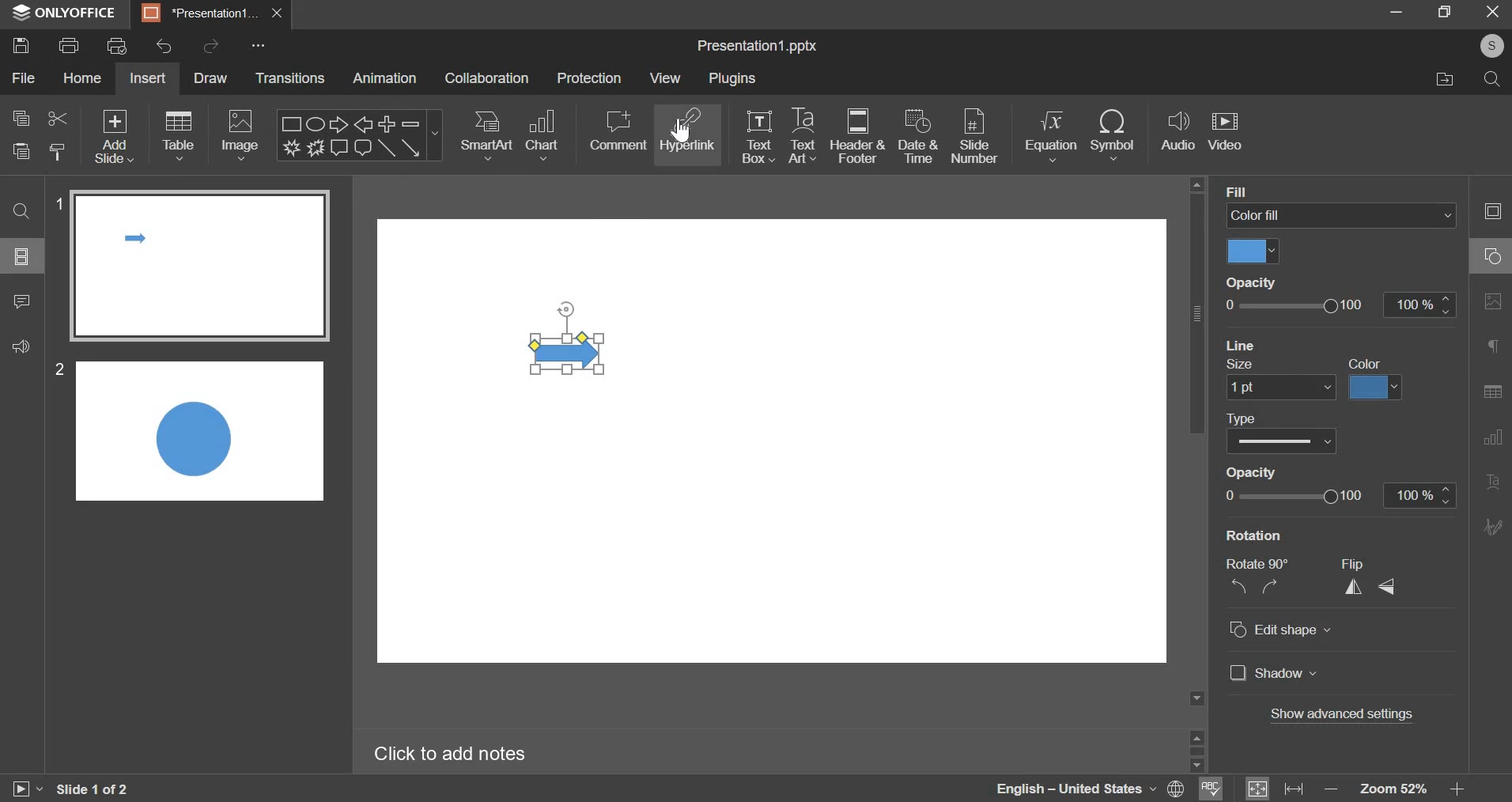  I want to click on account name, so click(1491, 46).